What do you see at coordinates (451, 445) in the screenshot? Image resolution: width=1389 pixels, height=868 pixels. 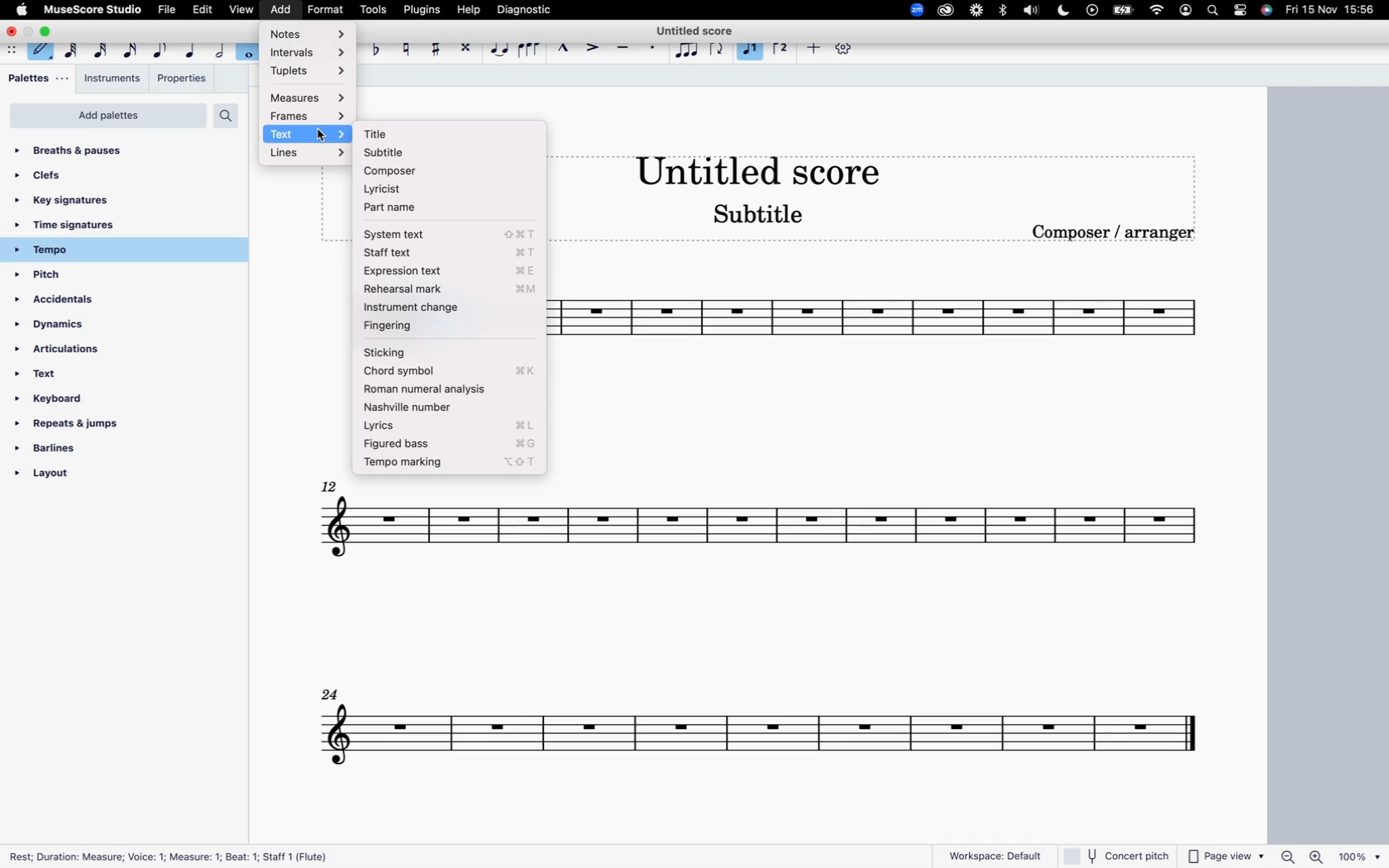 I see `figured bass` at bounding box center [451, 445].